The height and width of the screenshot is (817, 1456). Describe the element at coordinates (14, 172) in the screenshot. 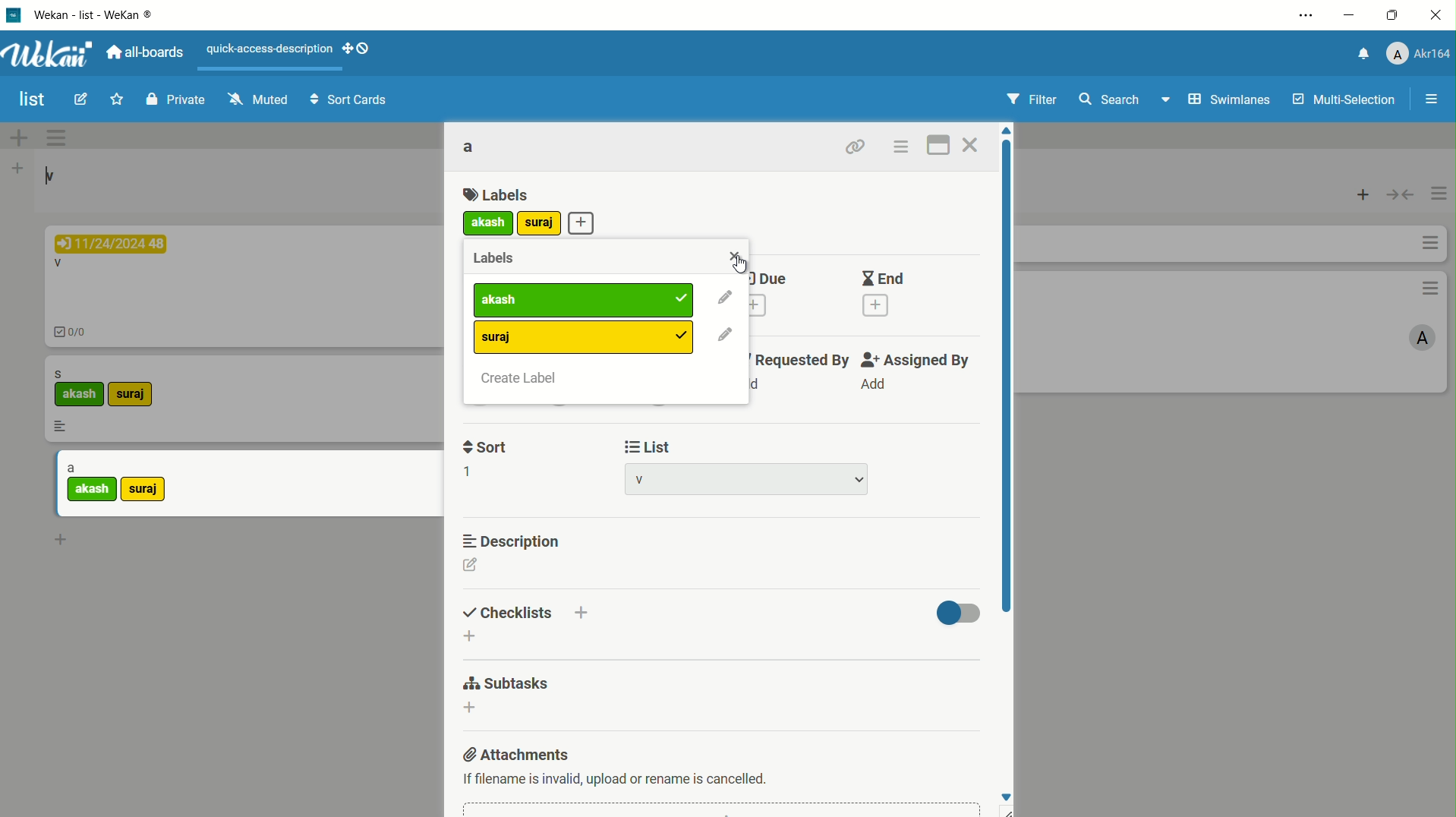

I see `add` at that location.